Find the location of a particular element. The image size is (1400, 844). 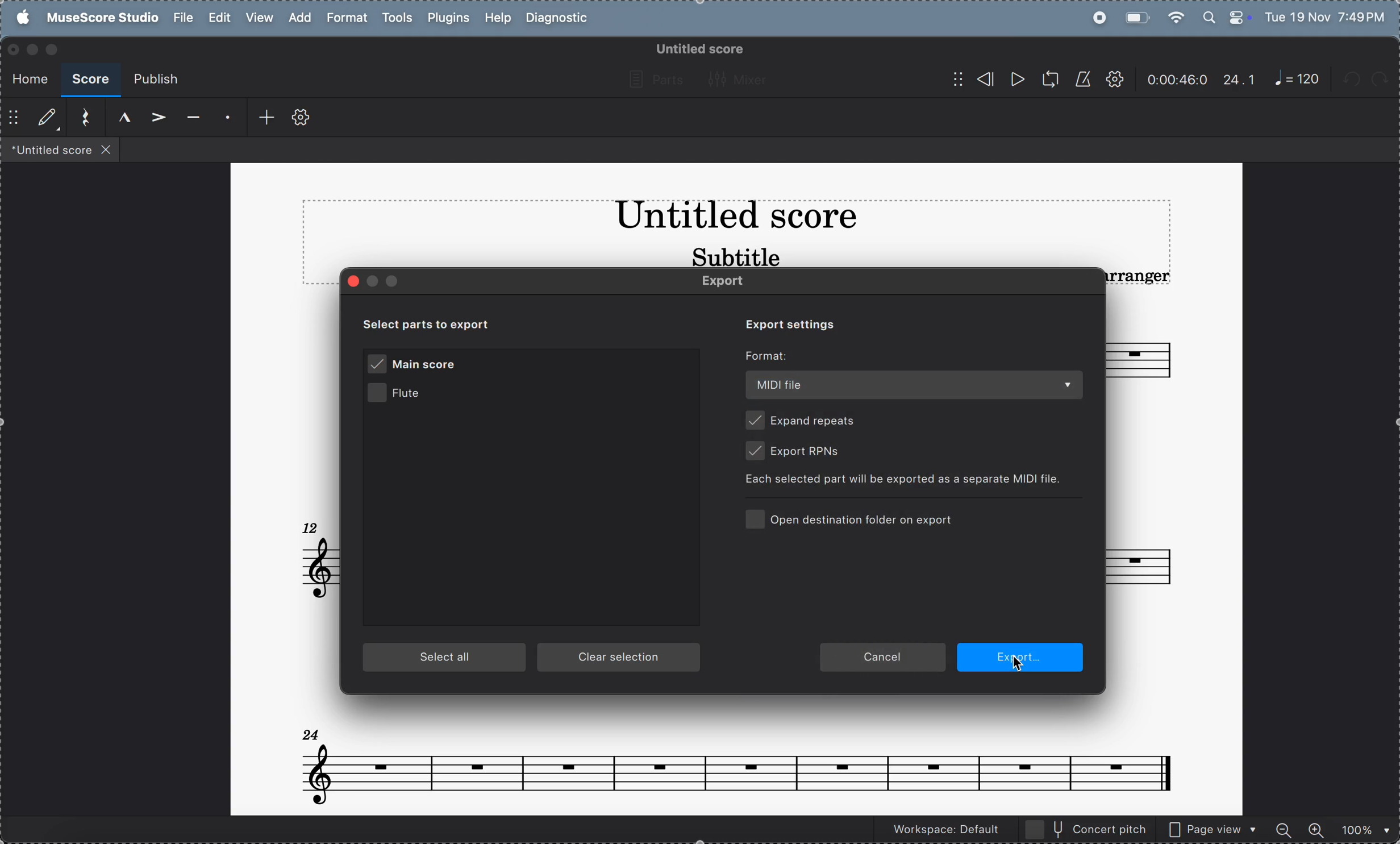

workspace default is located at coordinates (942, 831).